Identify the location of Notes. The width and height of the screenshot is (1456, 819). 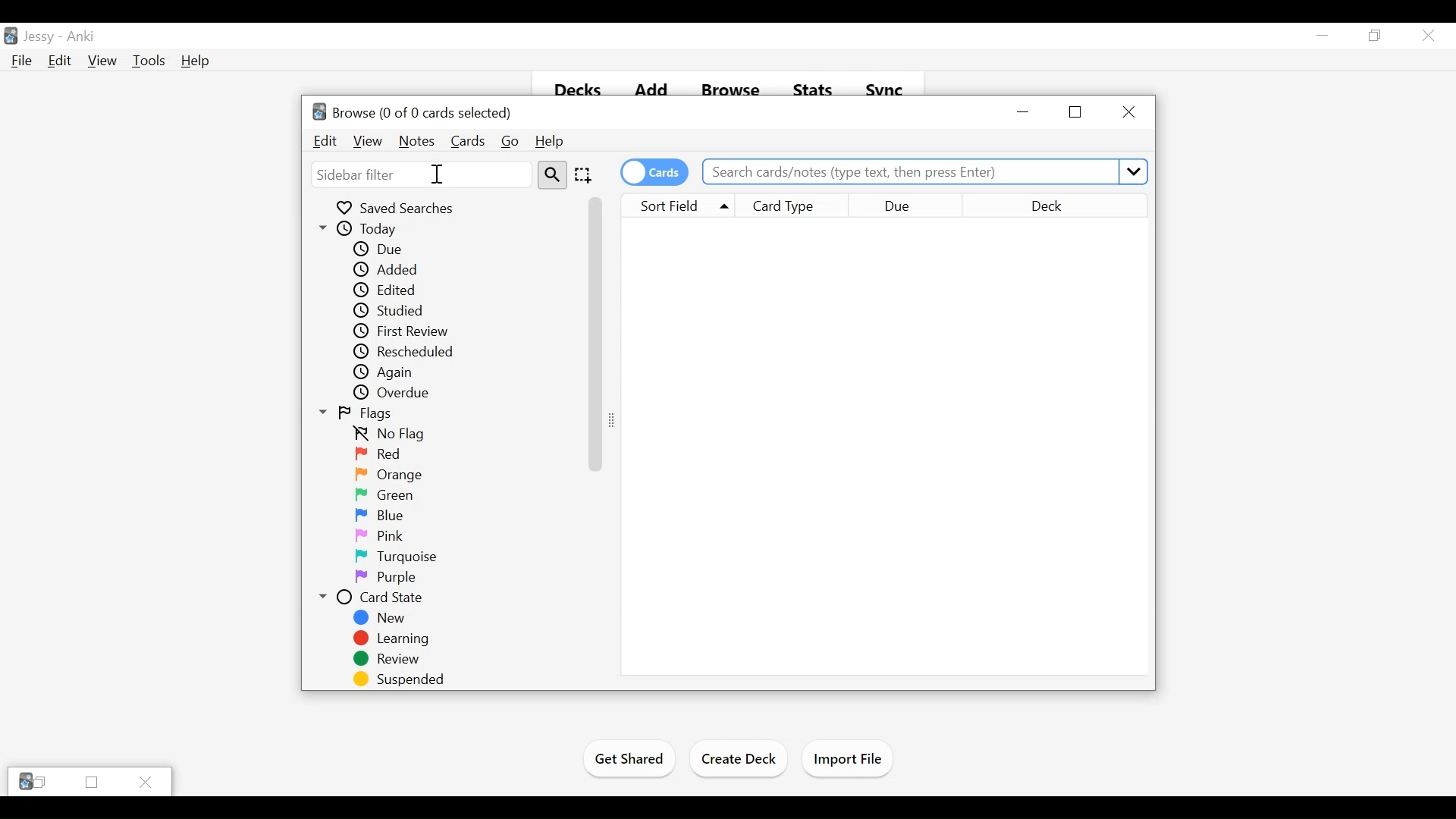
(416, 142).